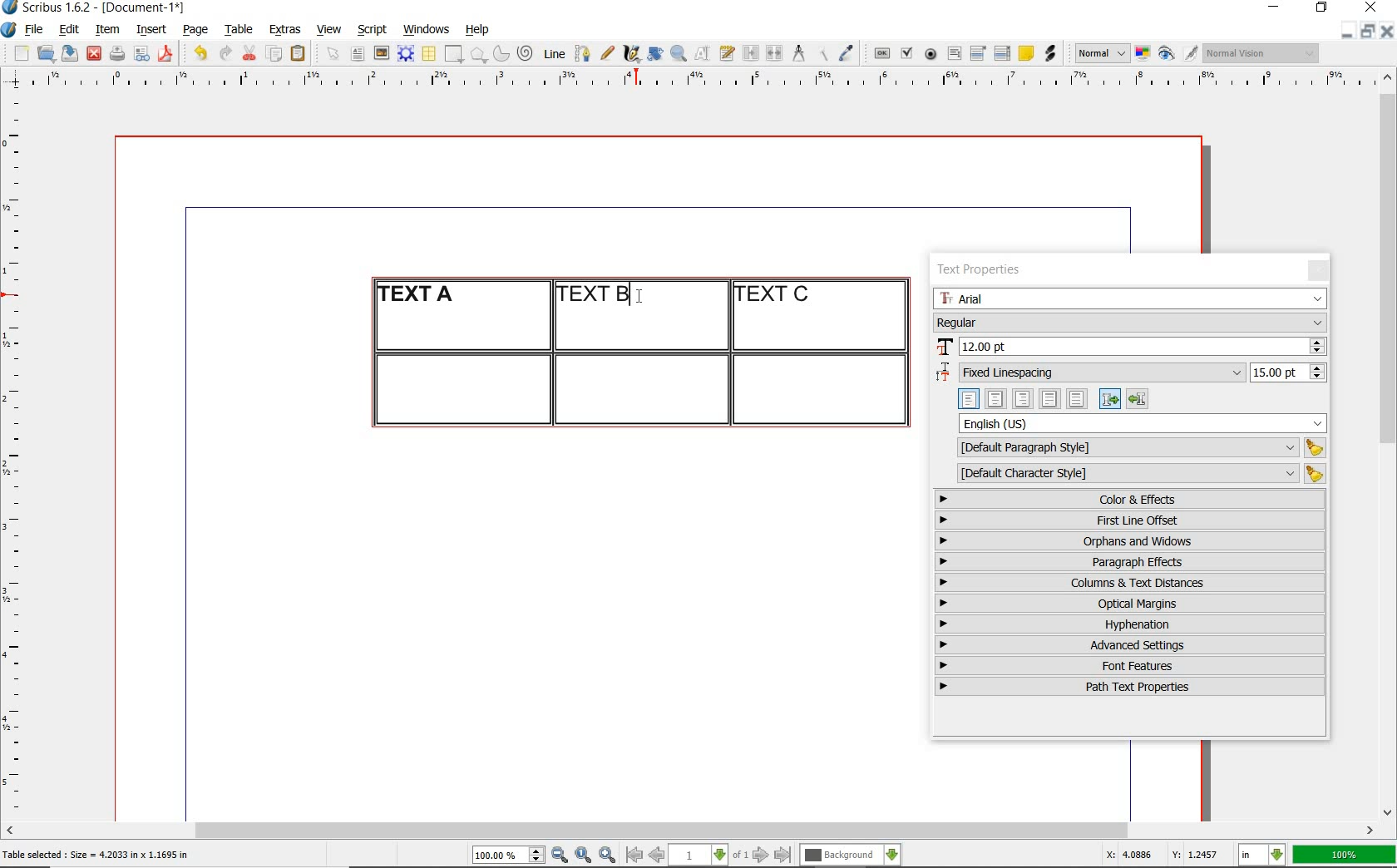  Describe the element at coordinates (581, 53) in the screenshot. I see `Bezier curve` at that location.